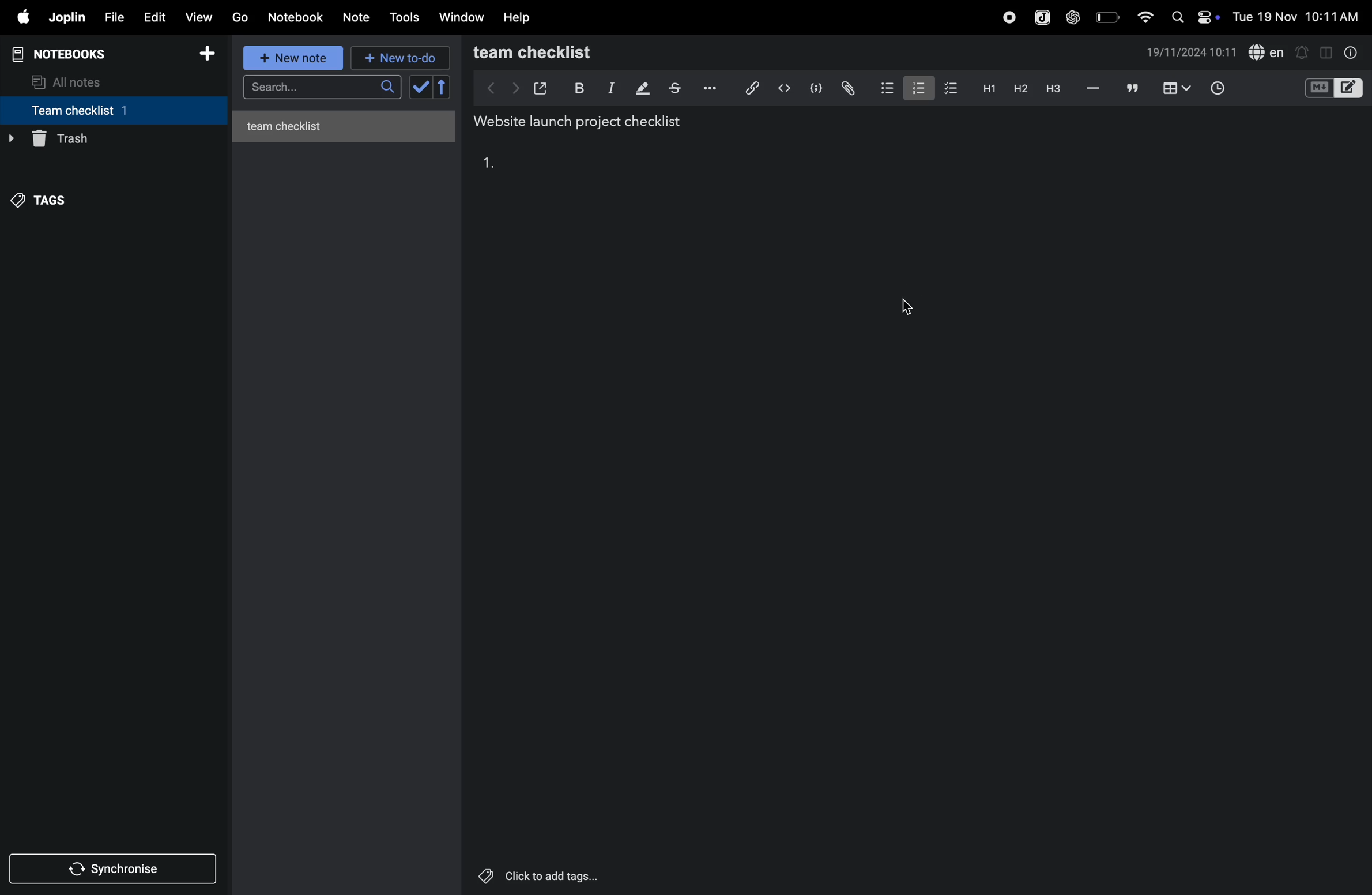 Image resolution: width=1372 pixels, height=895 pixels. I want to click on team checklist, so click(557, 52).